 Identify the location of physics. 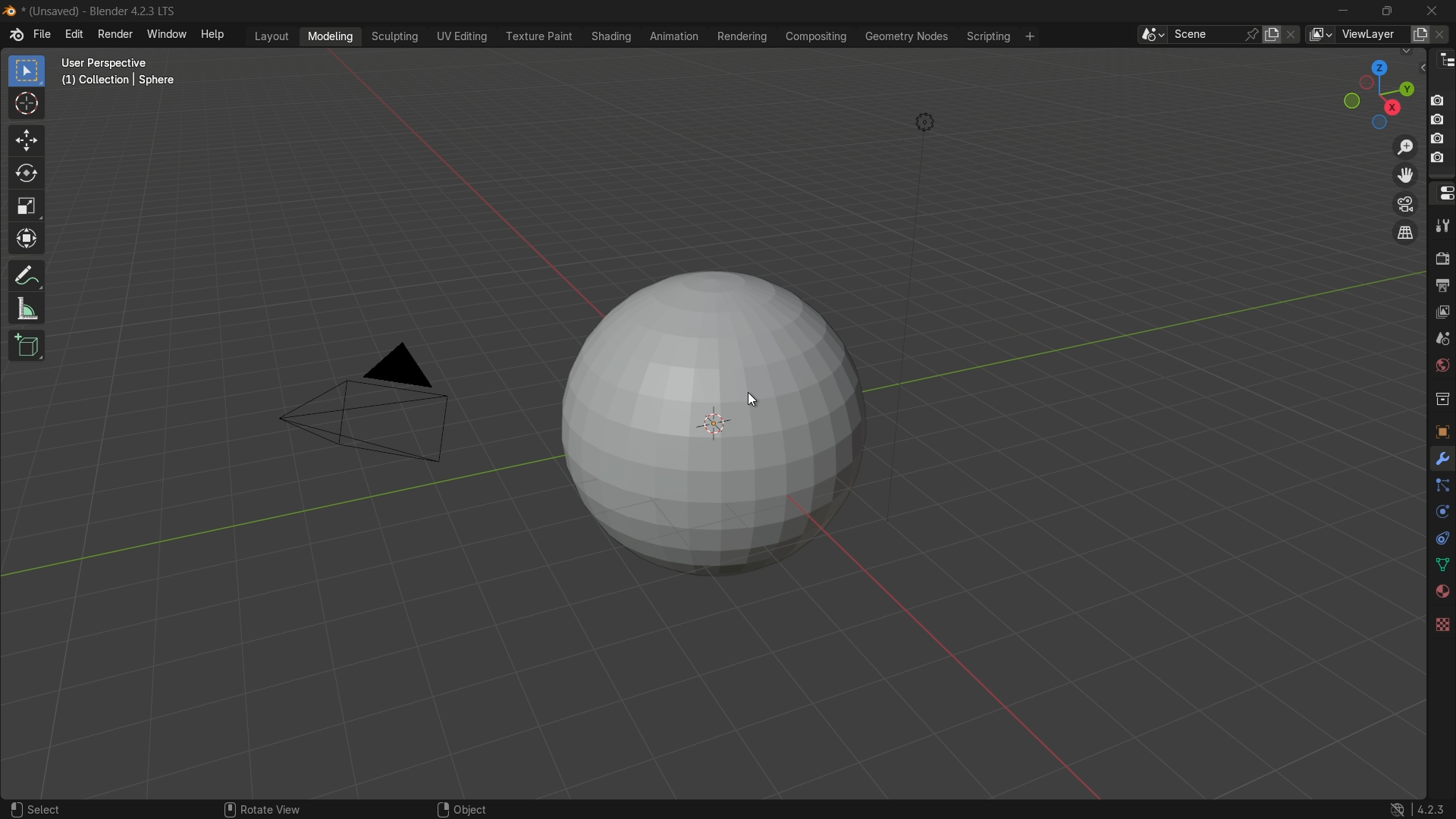
(1441, 513).